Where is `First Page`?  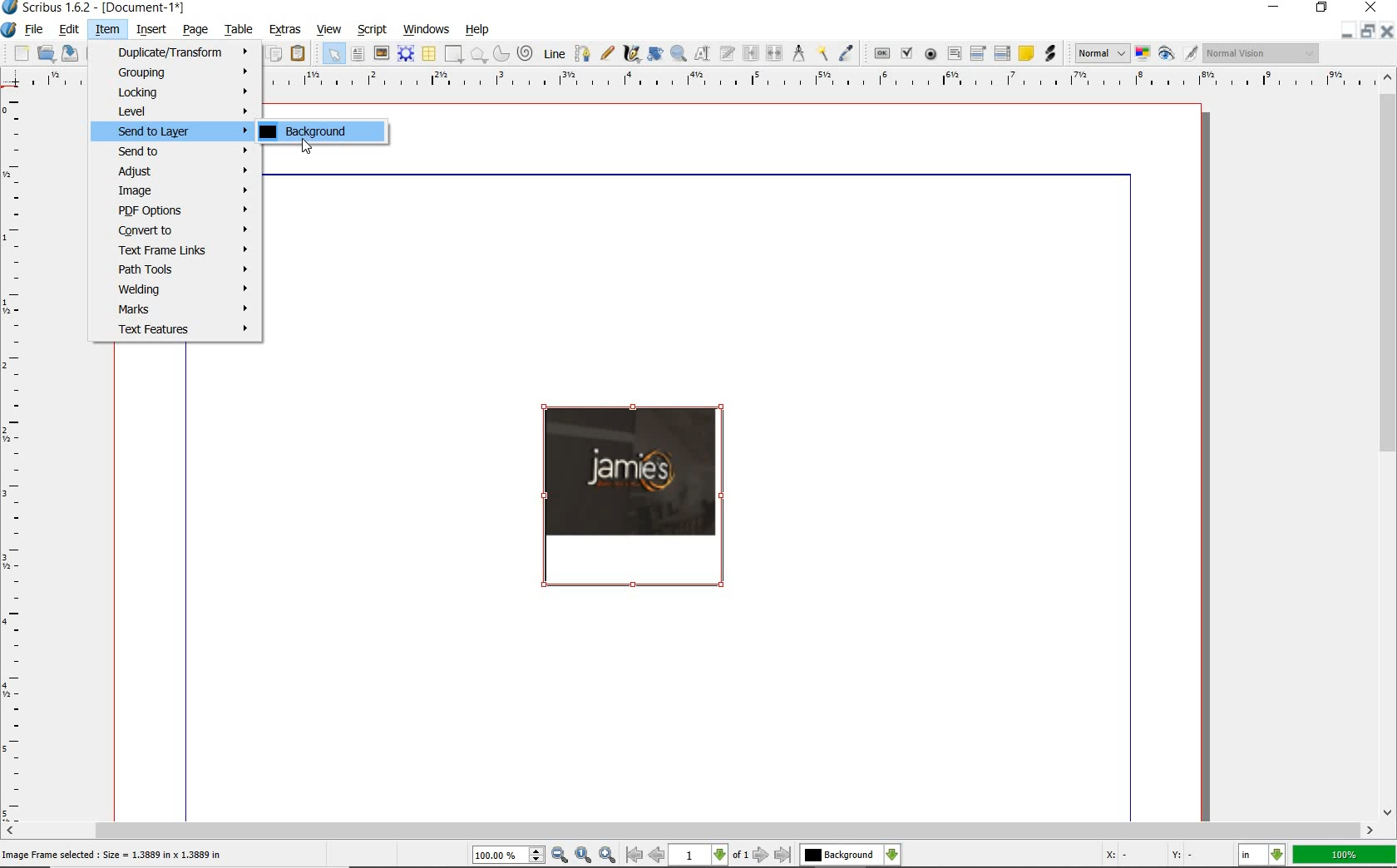 First Page is located at coordinates (634, 856).